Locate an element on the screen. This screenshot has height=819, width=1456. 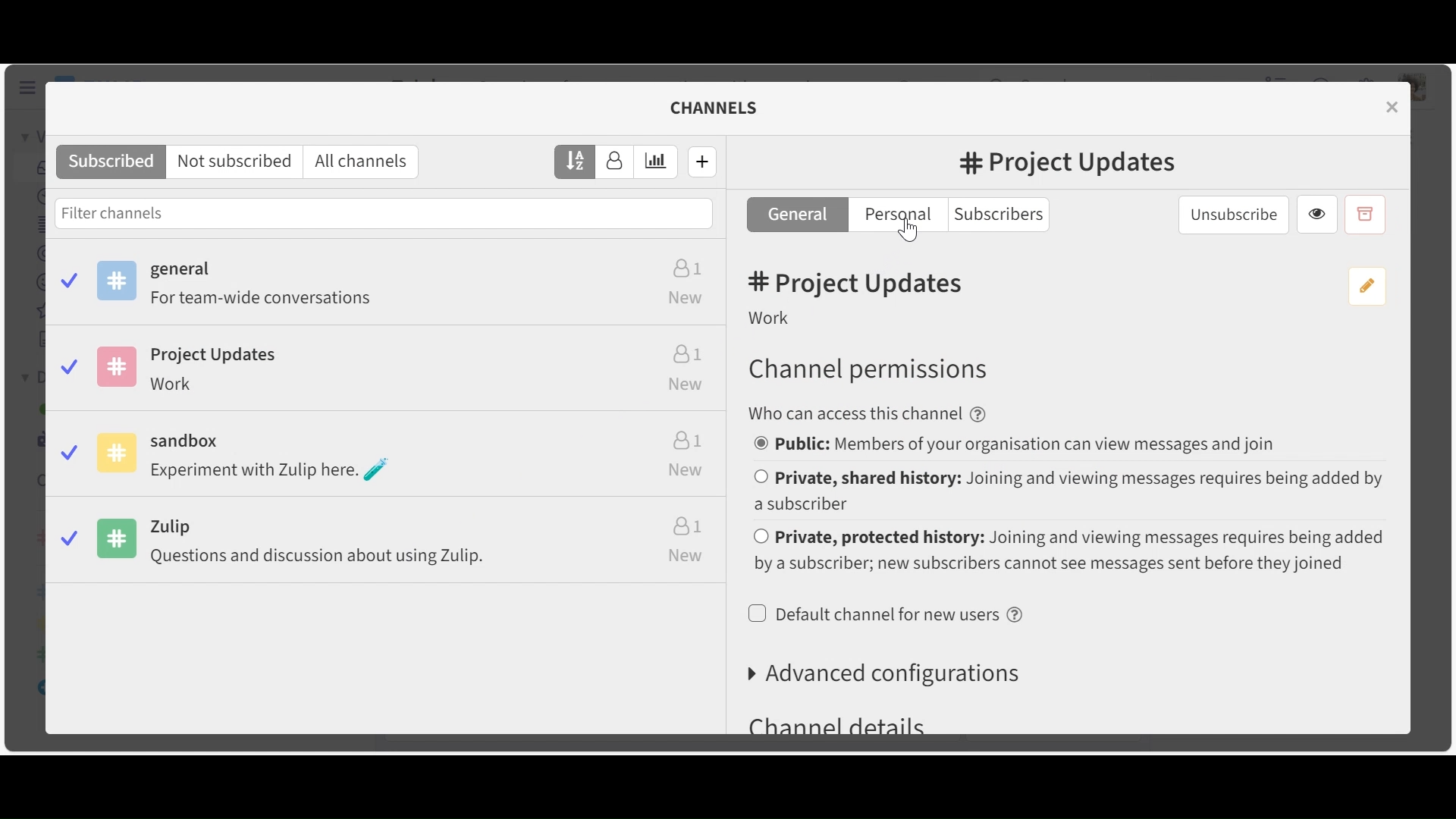
(un)select Public is located at coordinates (1021, 446).